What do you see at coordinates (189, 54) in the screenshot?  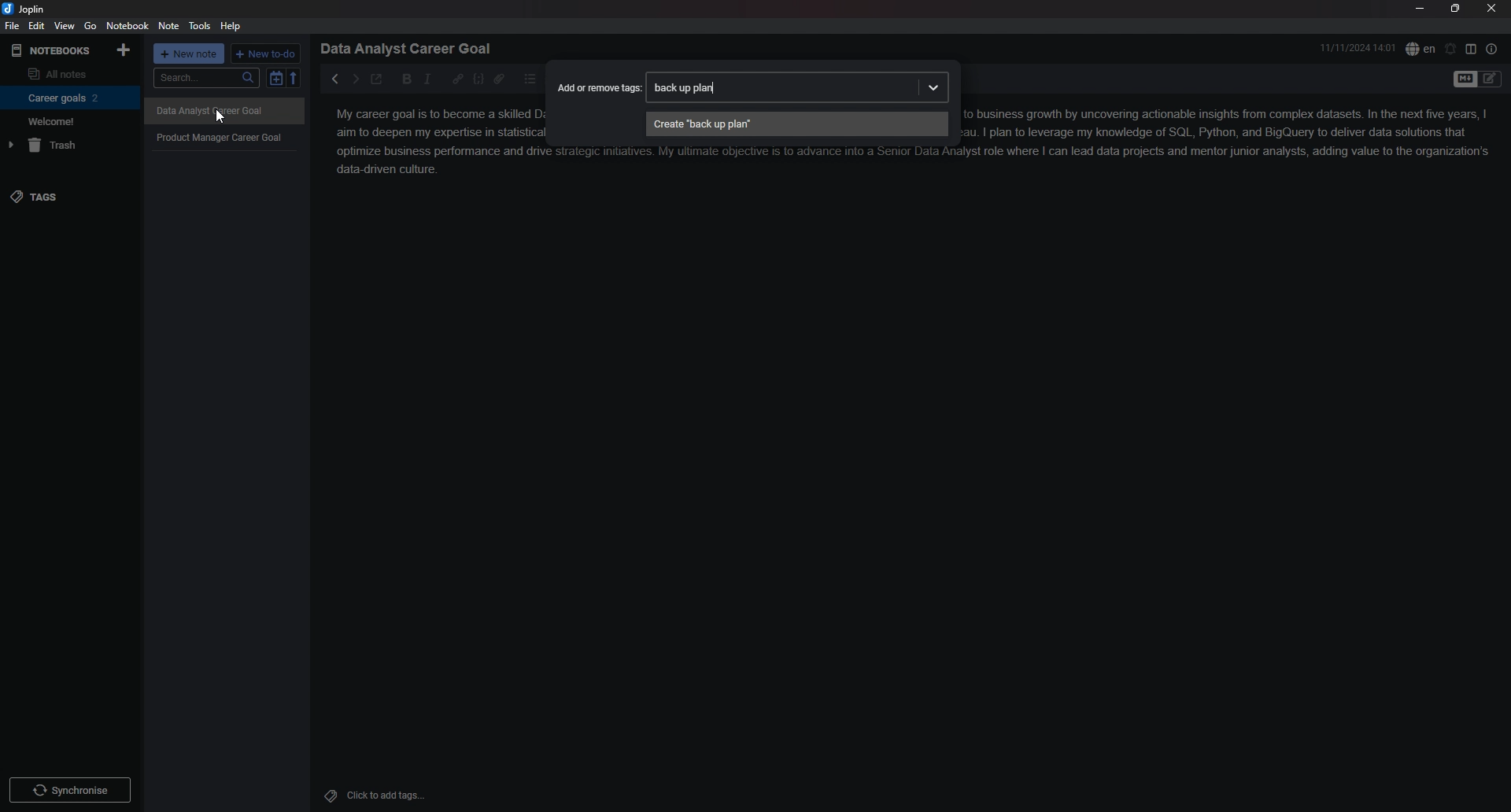 I see `+ new note` at bounding box center [189, 54].